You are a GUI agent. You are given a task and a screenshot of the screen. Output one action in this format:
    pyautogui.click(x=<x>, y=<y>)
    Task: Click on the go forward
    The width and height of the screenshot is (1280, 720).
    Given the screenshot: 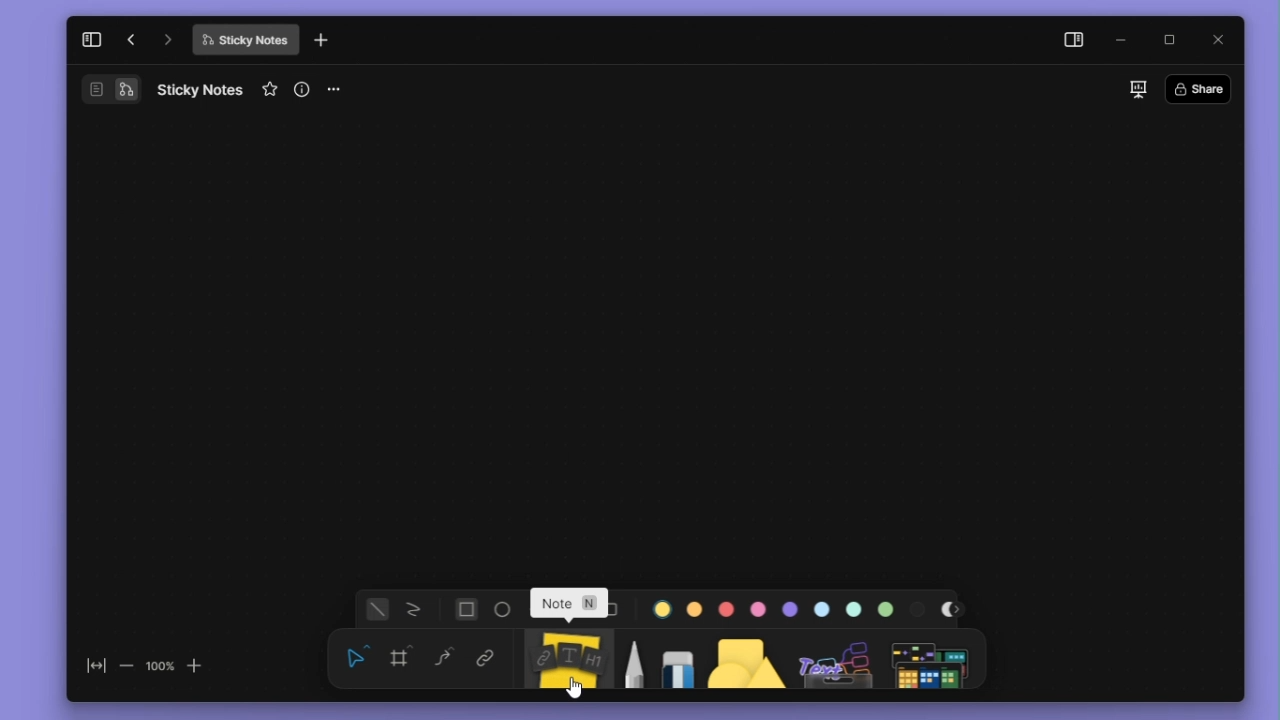 What is the action you would take?
    pyautogui.click(x=164, y=44)
    